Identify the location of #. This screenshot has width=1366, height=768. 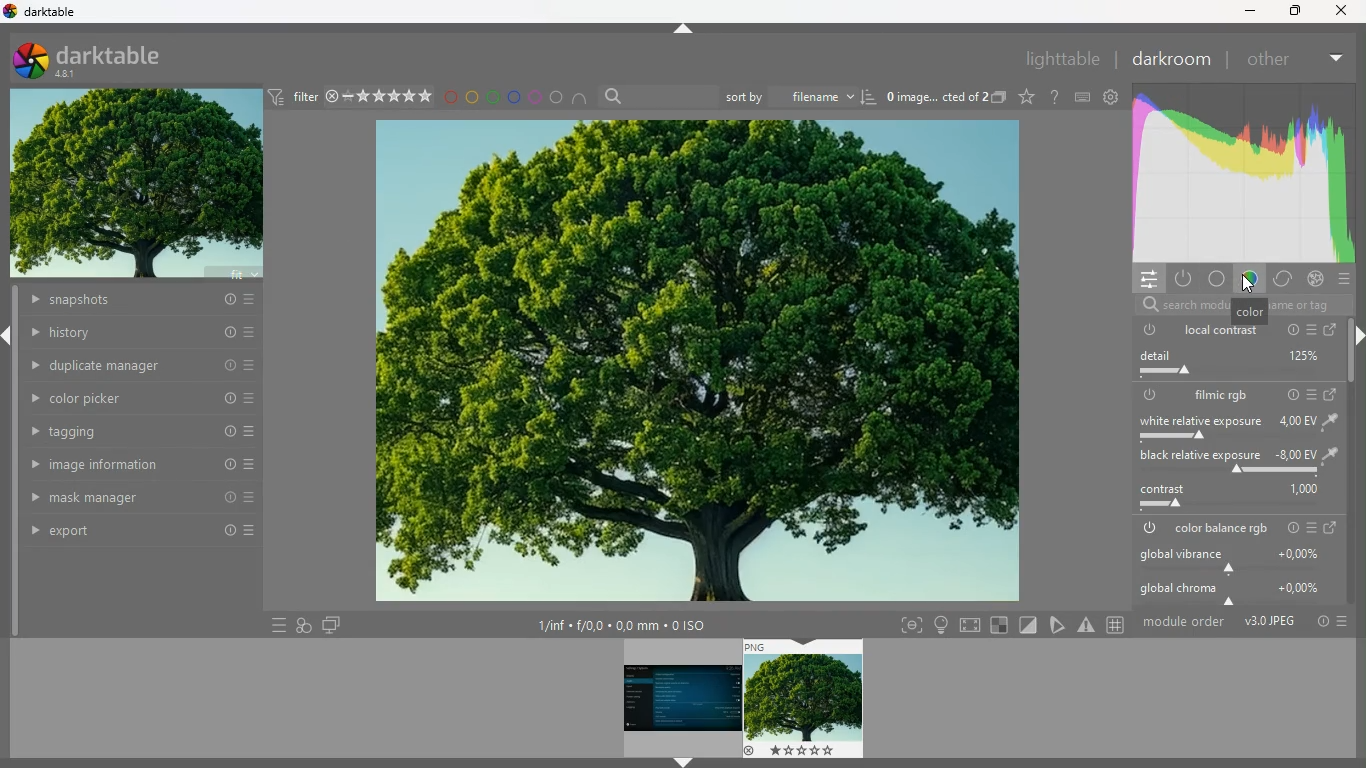
(1118, 626).